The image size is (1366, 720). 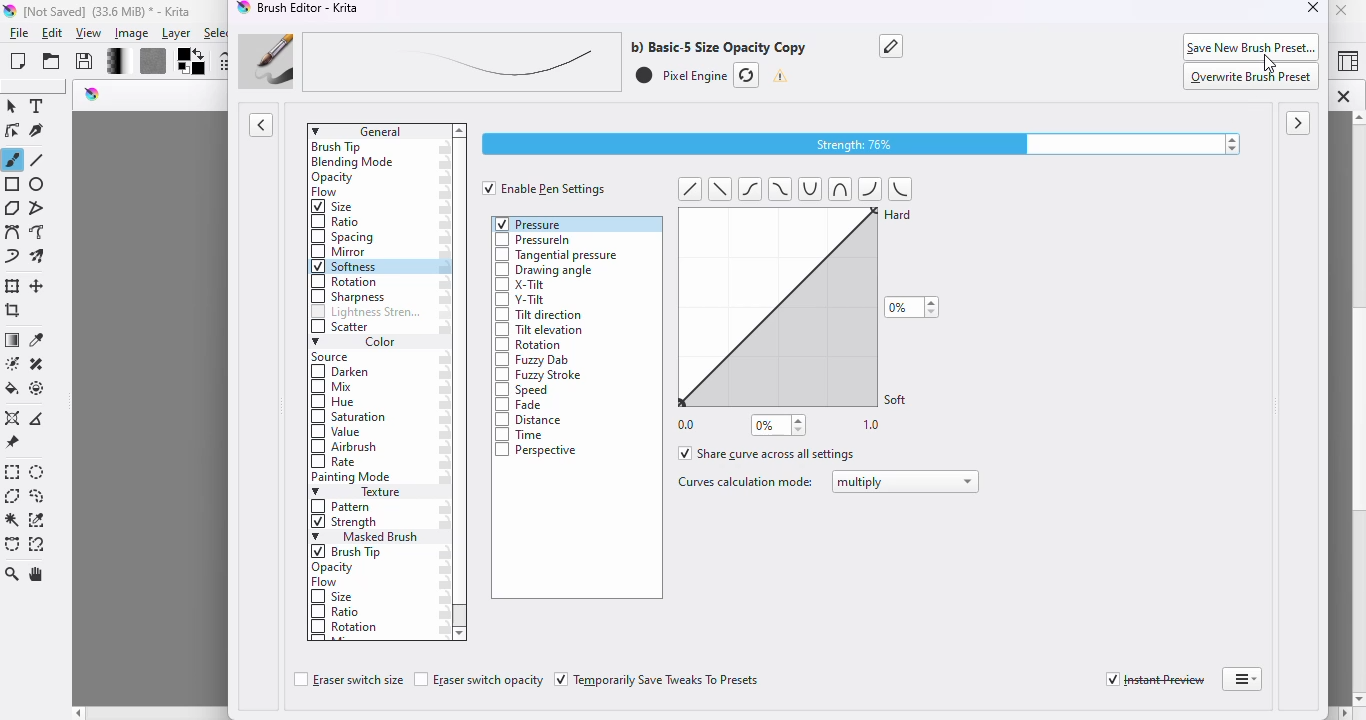 I want to click on crop the image to an area, so click(x=12, y=311).